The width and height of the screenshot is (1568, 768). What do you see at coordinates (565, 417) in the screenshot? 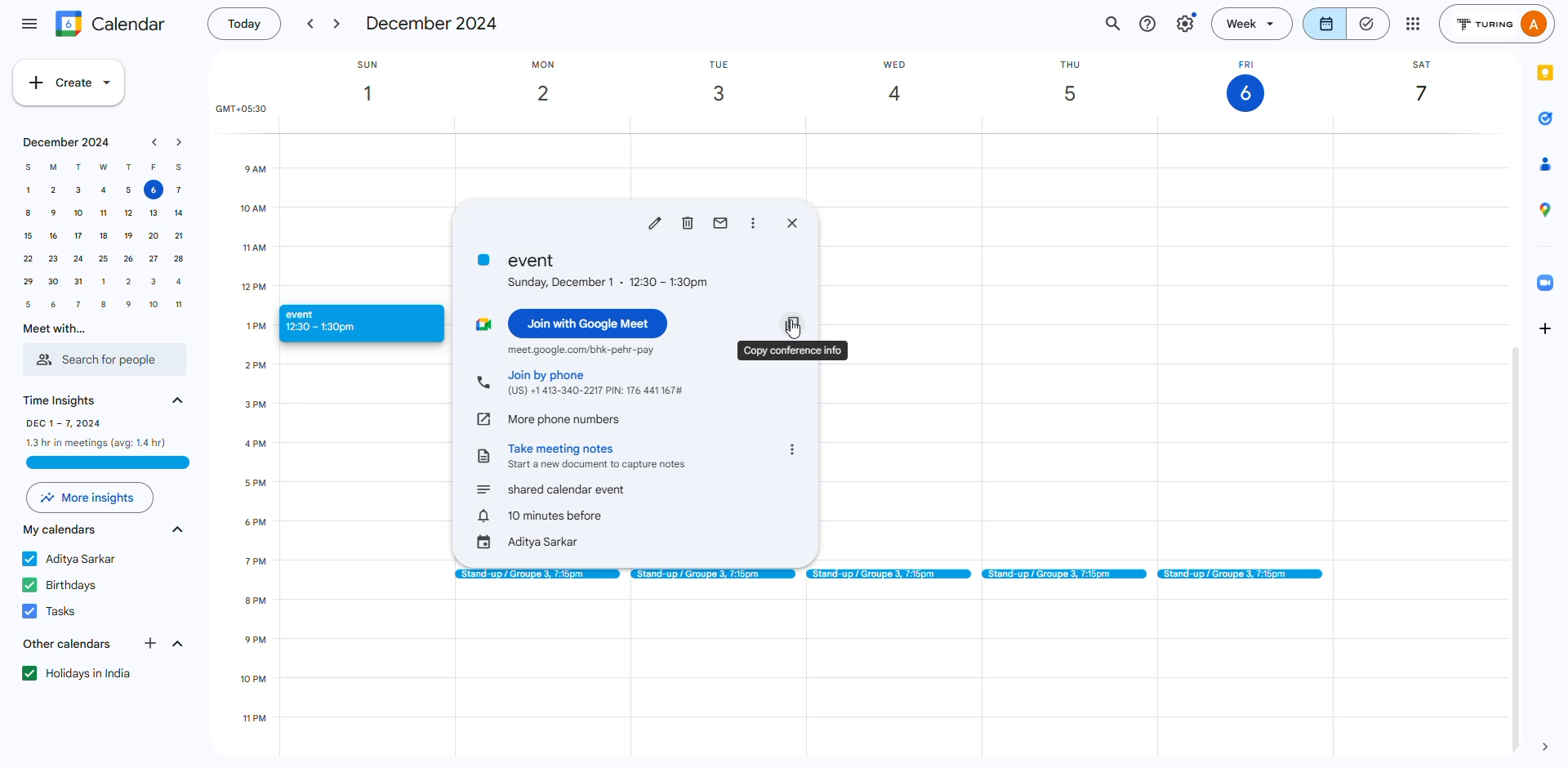
I see `phone` at bounding box center [565, 417].